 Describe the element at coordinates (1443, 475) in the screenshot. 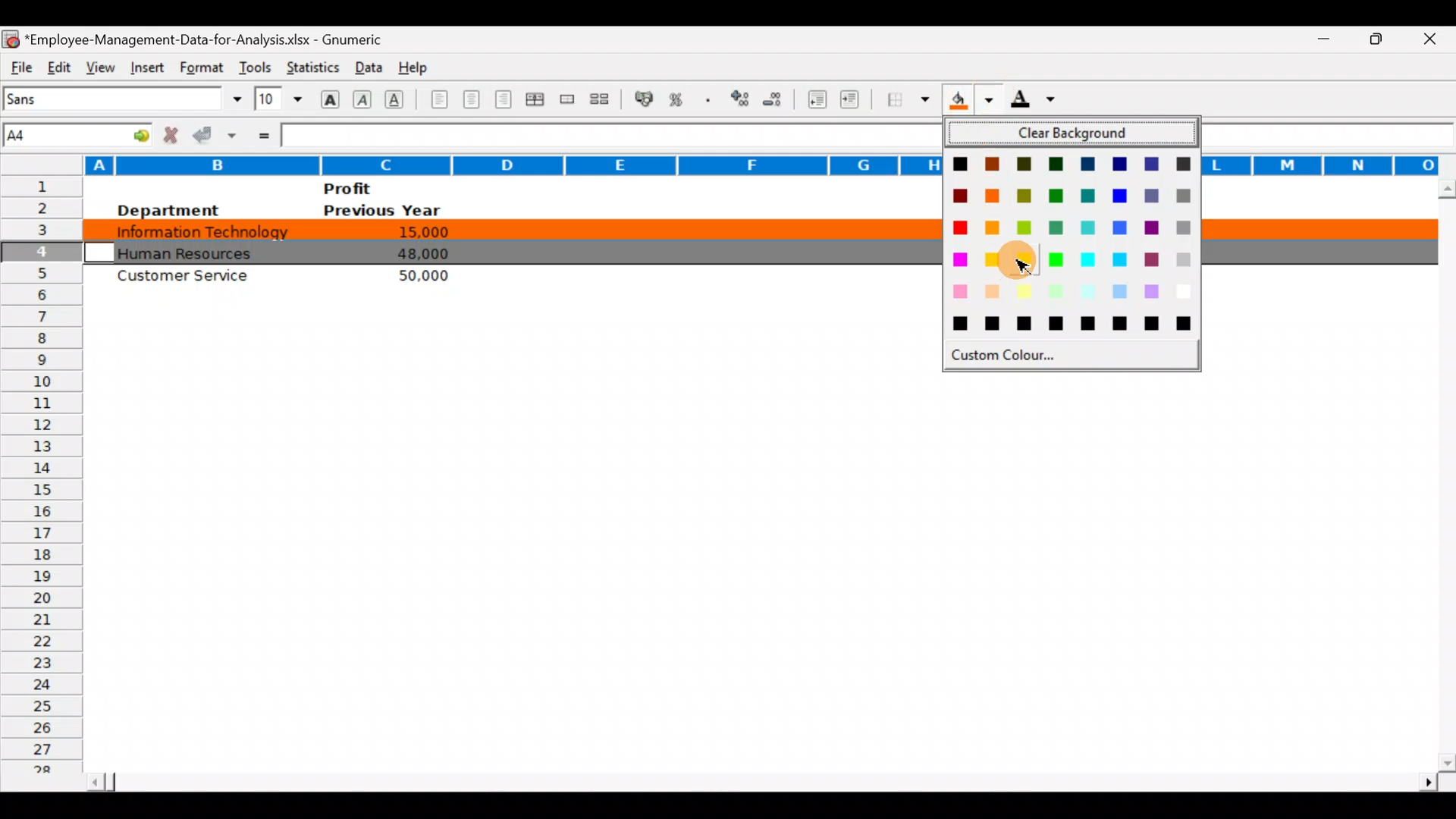

I see `Scroll bar` at that location.